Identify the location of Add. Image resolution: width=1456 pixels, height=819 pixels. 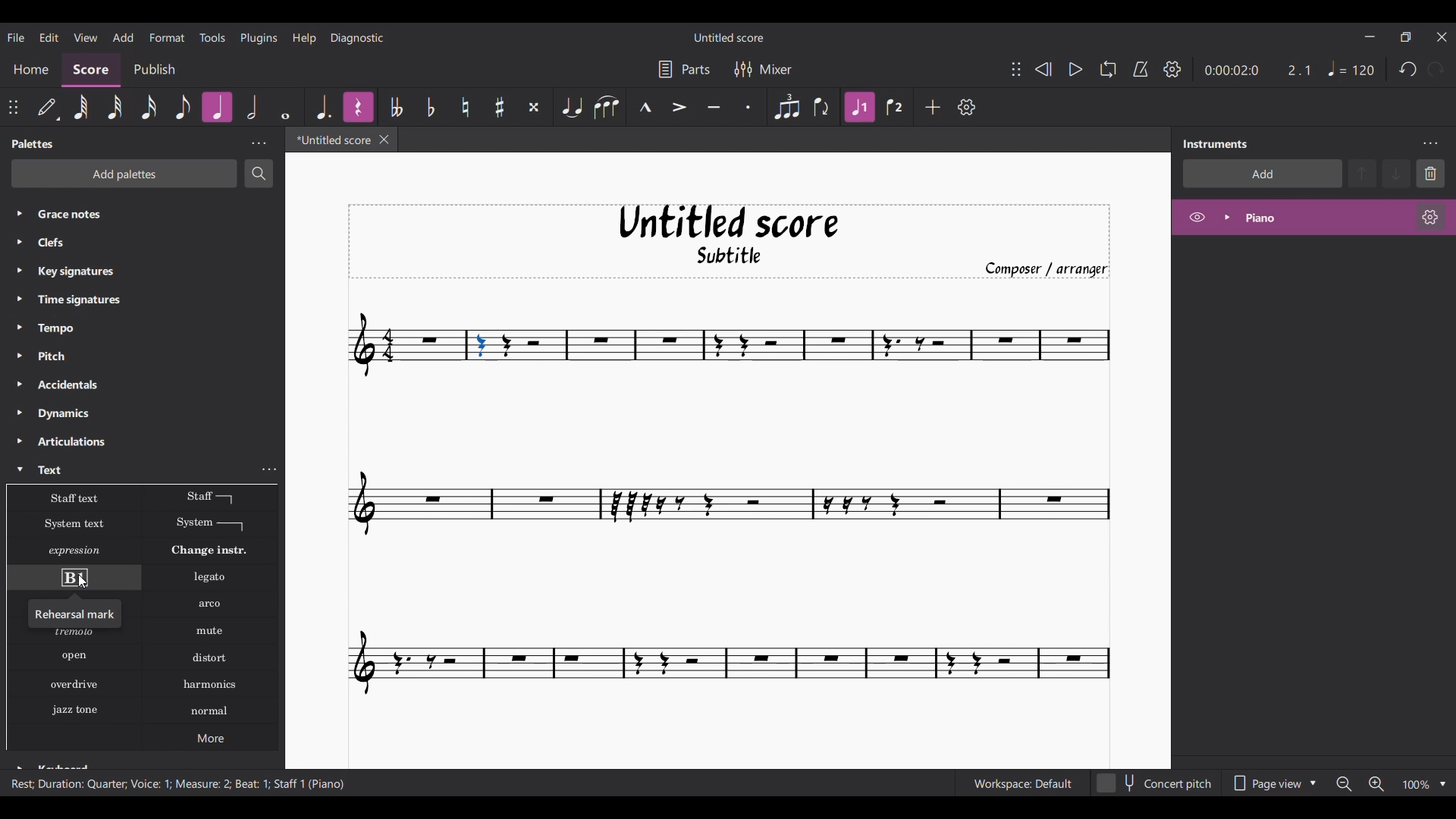
(933, 107).